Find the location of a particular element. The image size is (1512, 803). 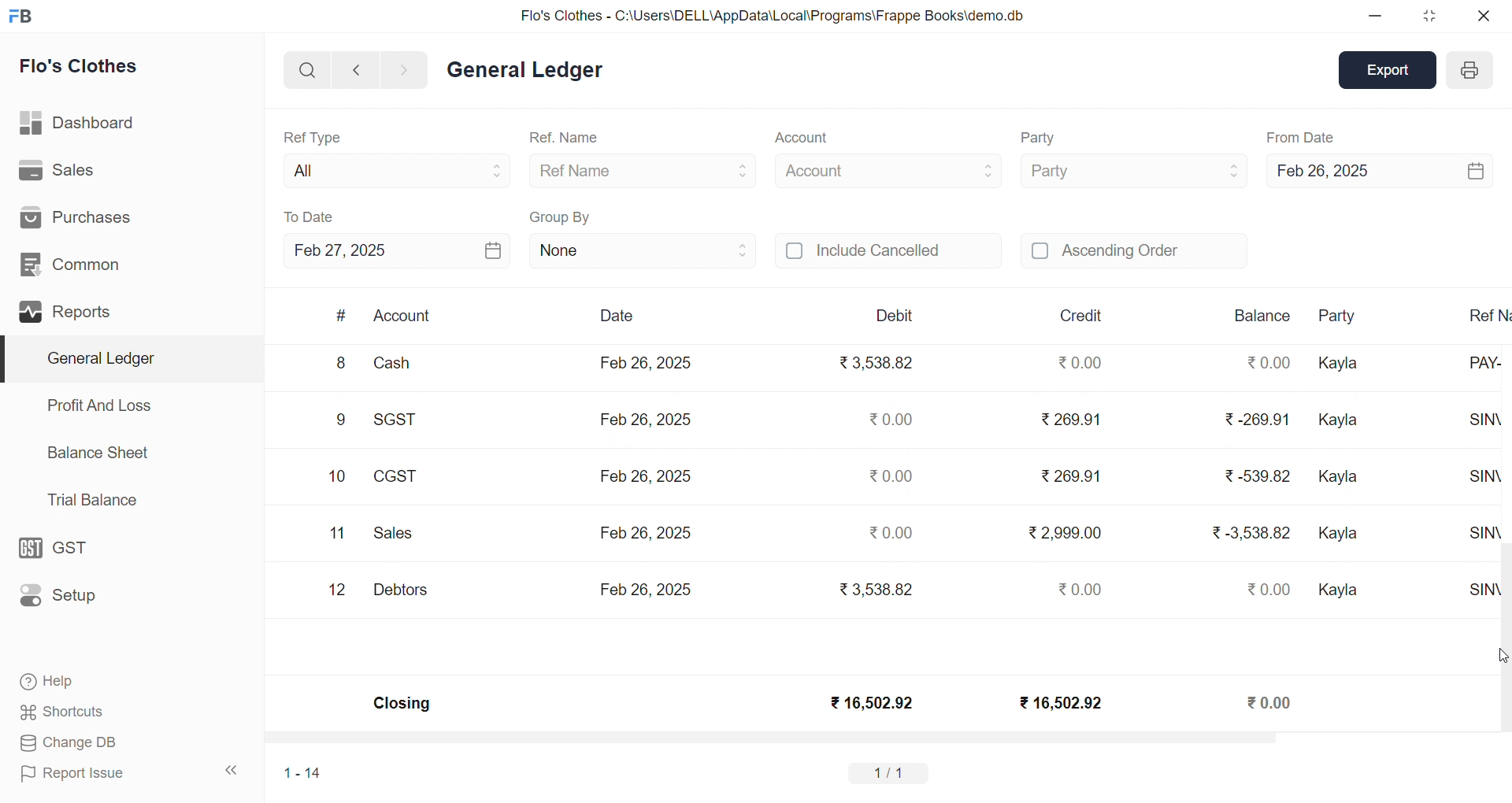

₹ -3,538.82 is located at coordinates (1251, 538).